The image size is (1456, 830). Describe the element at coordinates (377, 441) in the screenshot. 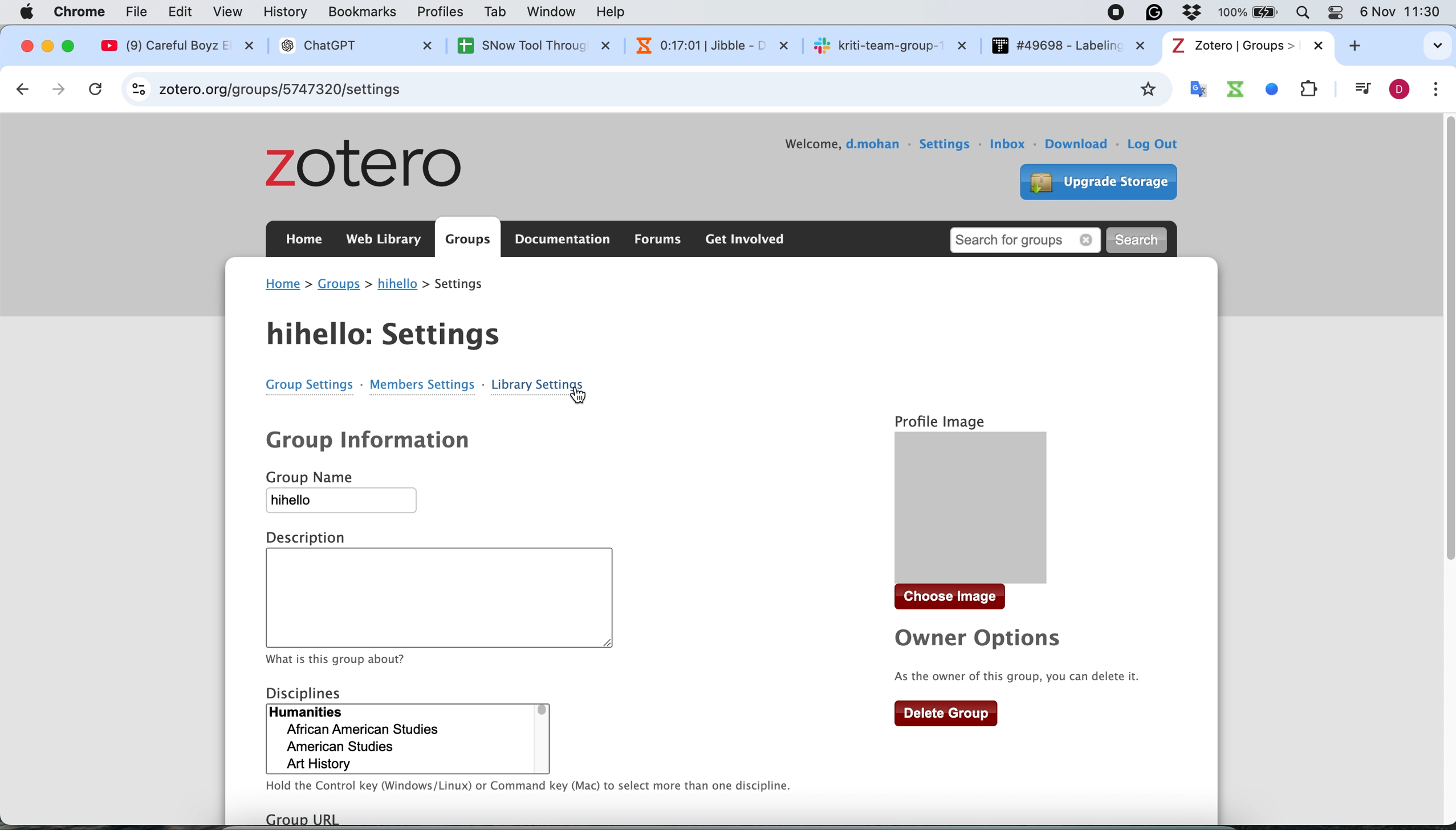

I see `Group Information` at that location.